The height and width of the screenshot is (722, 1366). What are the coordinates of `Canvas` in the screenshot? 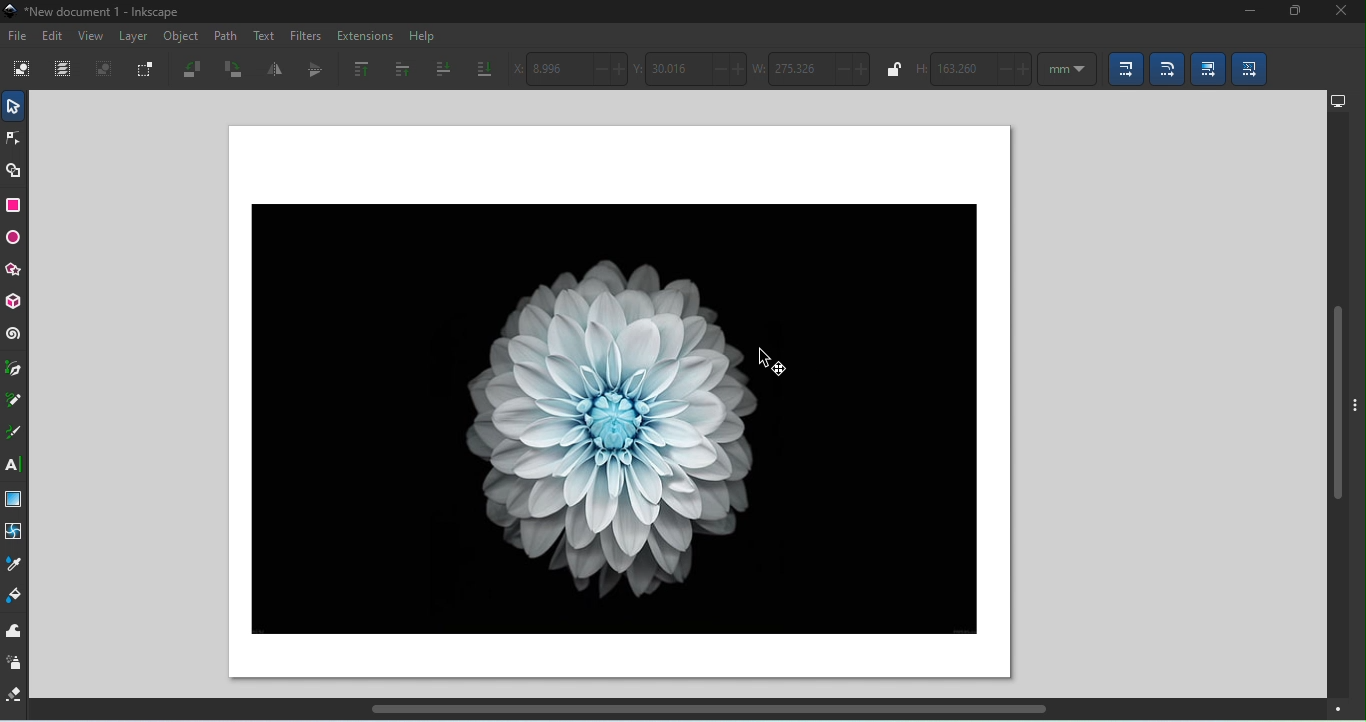 It's located at (614, 404).